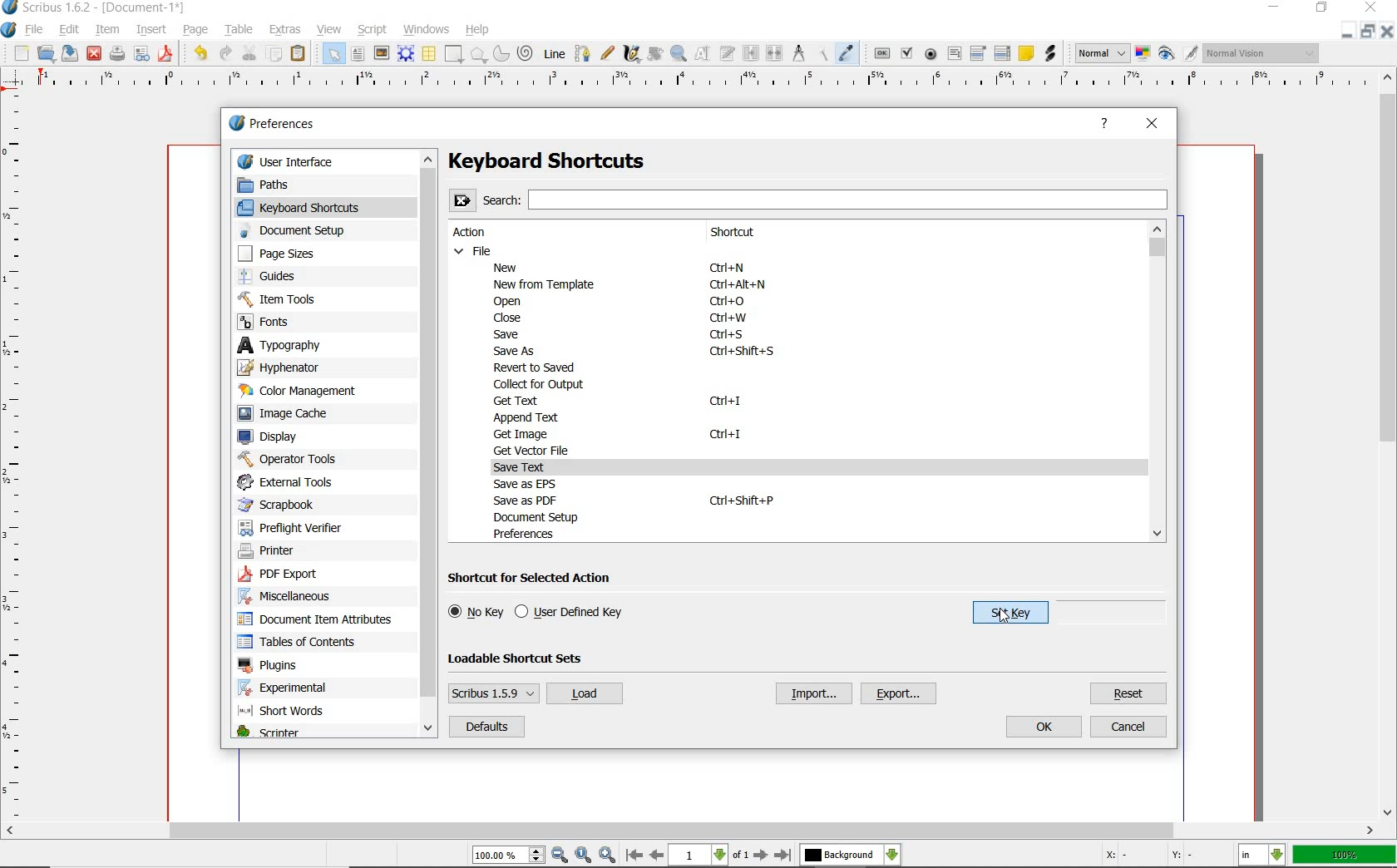  I want to click on reset, so click(1129, 693).